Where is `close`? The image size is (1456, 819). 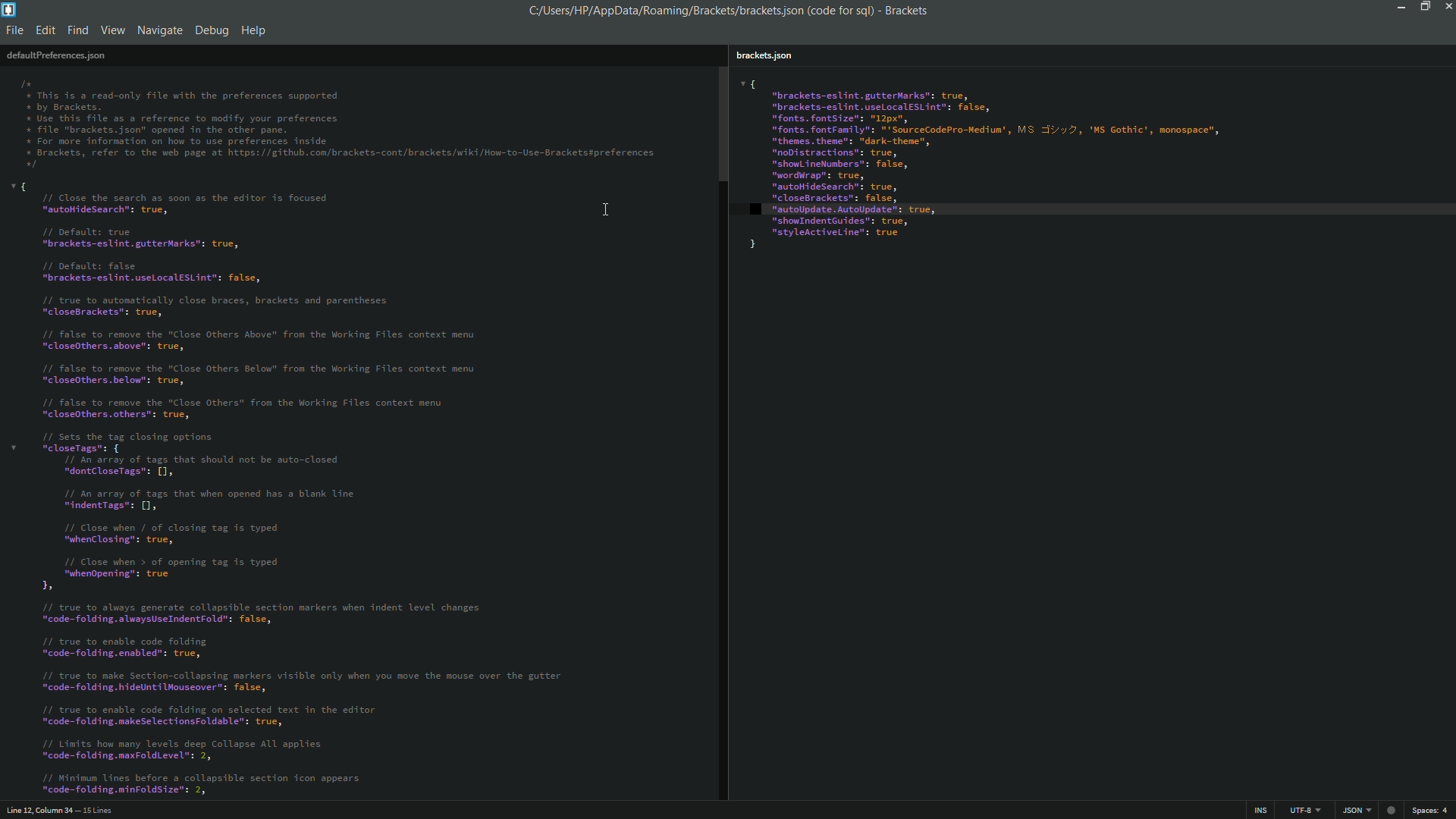 close is located at coordinates (1446, 9).